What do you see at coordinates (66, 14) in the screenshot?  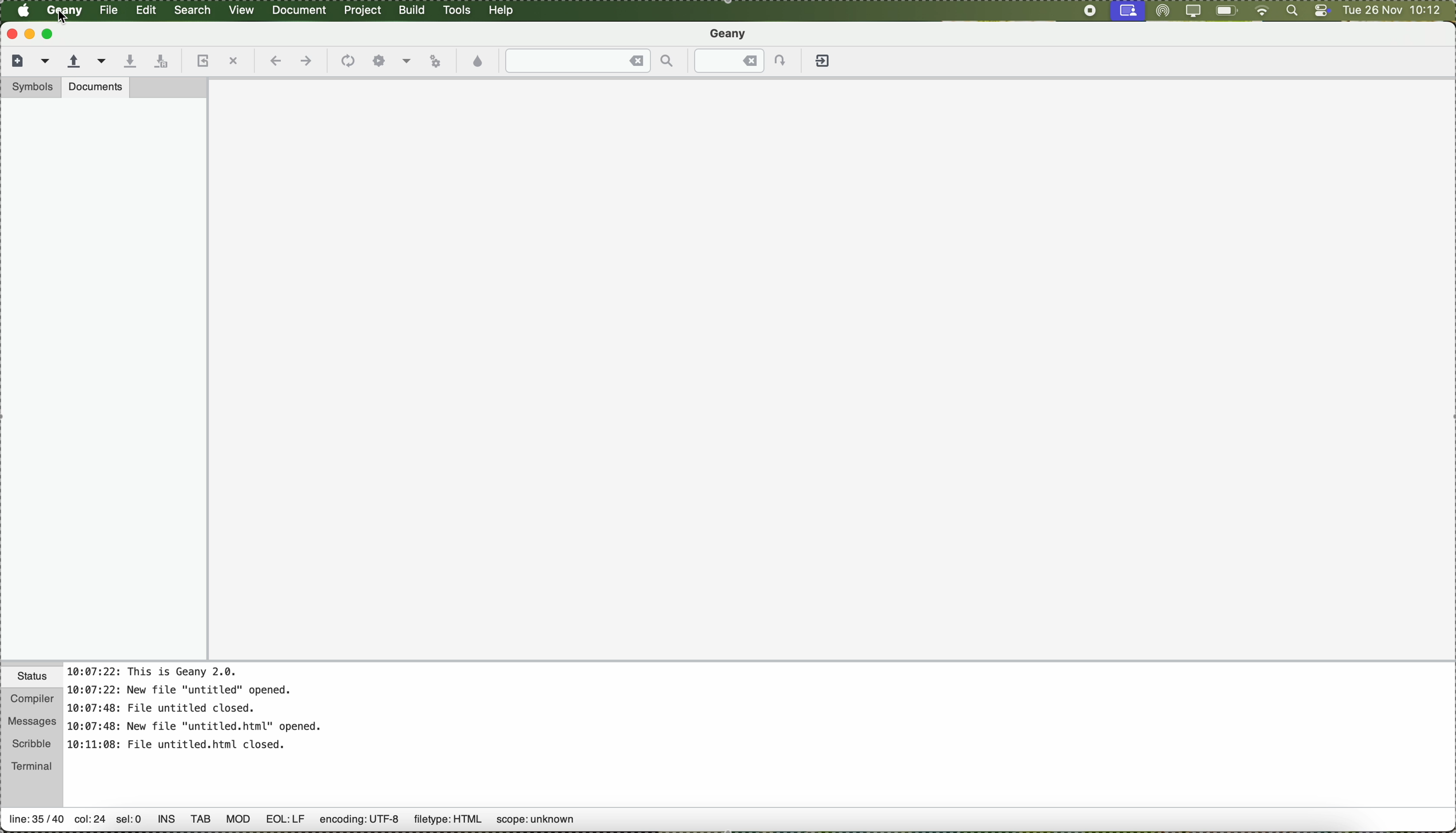 I see `Geany` at bounding box center [66, 14].